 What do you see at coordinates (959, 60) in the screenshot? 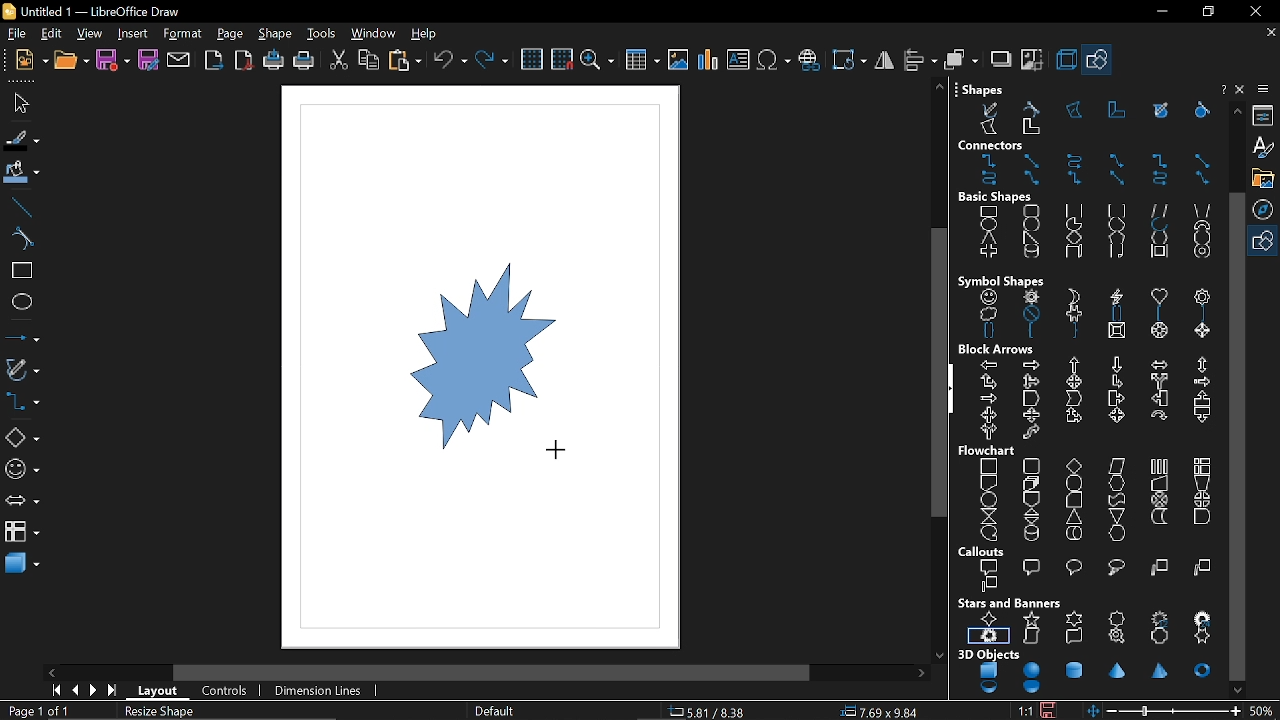
I see `arrange` at bounding box center [959, 60].